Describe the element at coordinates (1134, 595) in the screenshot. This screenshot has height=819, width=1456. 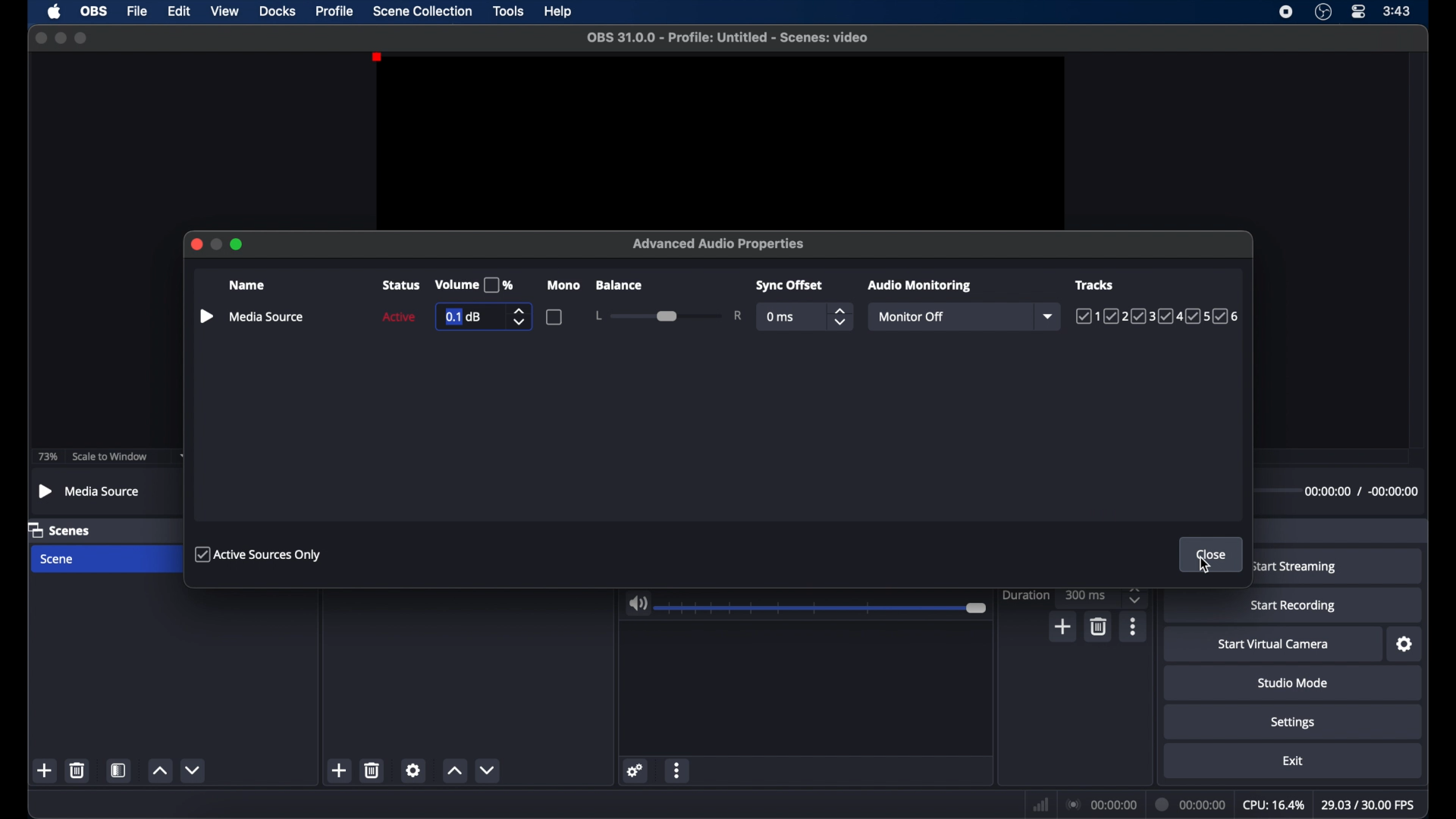
I see `stepper buttons` at that location.